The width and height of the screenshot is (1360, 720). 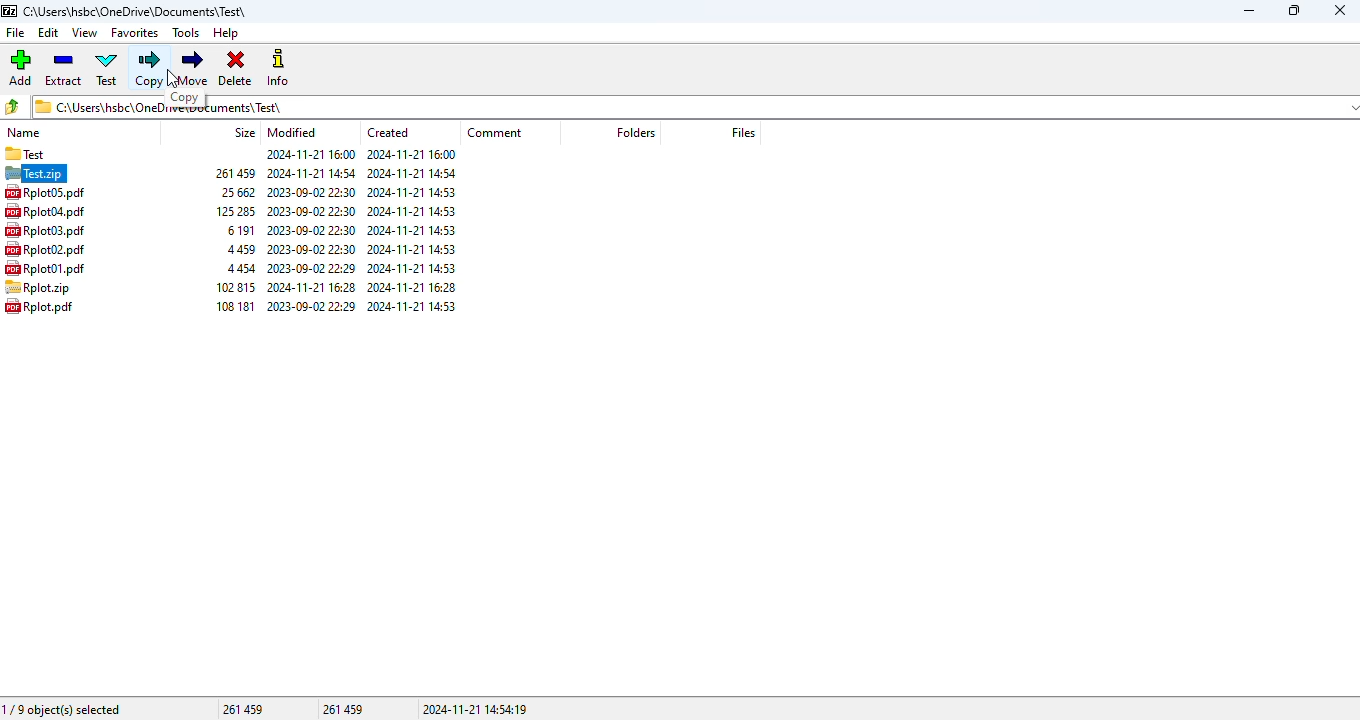 I want to click on size, so click(x=233, y=211).